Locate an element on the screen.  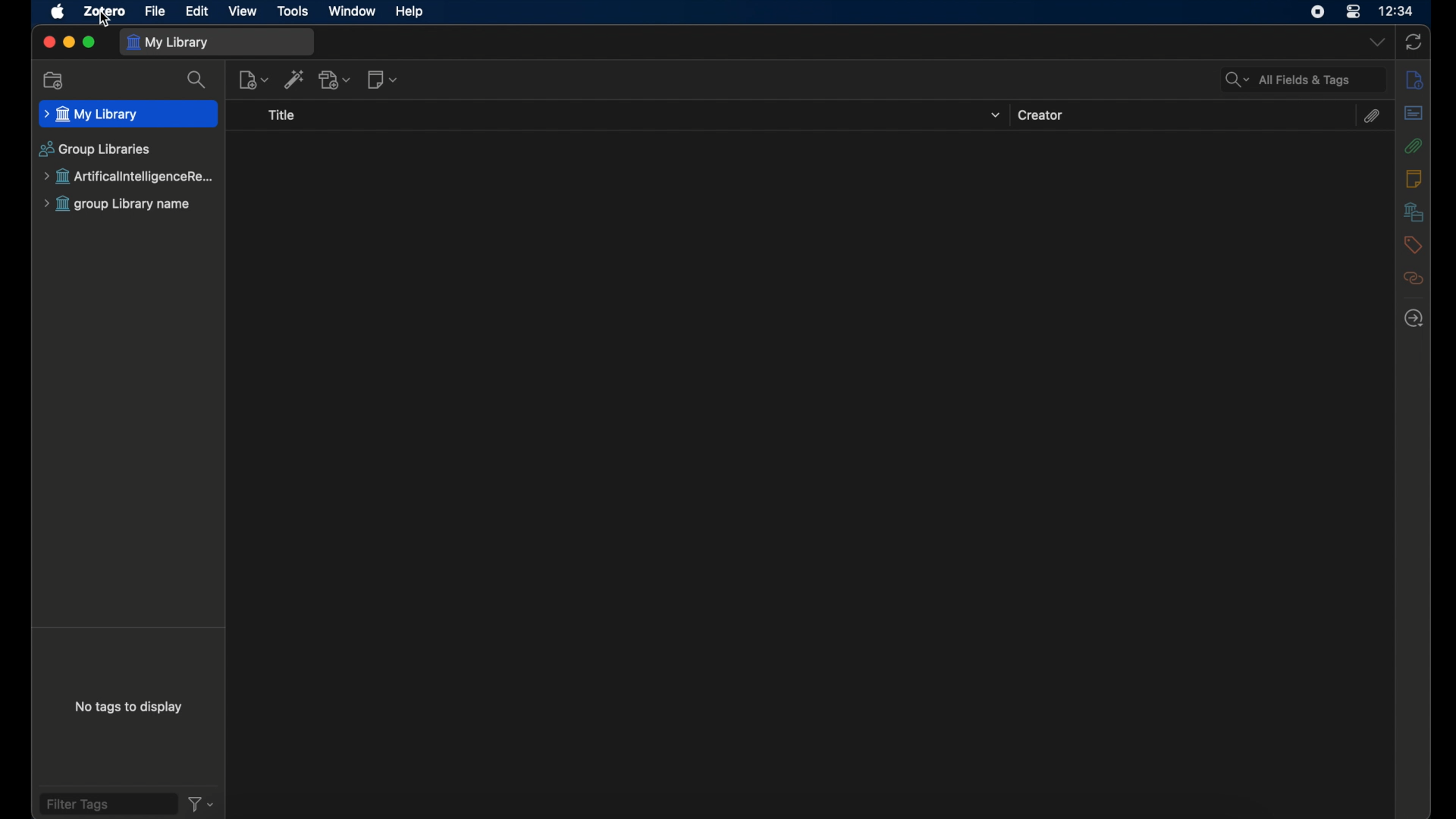
view is located at coordinates (243, 11).